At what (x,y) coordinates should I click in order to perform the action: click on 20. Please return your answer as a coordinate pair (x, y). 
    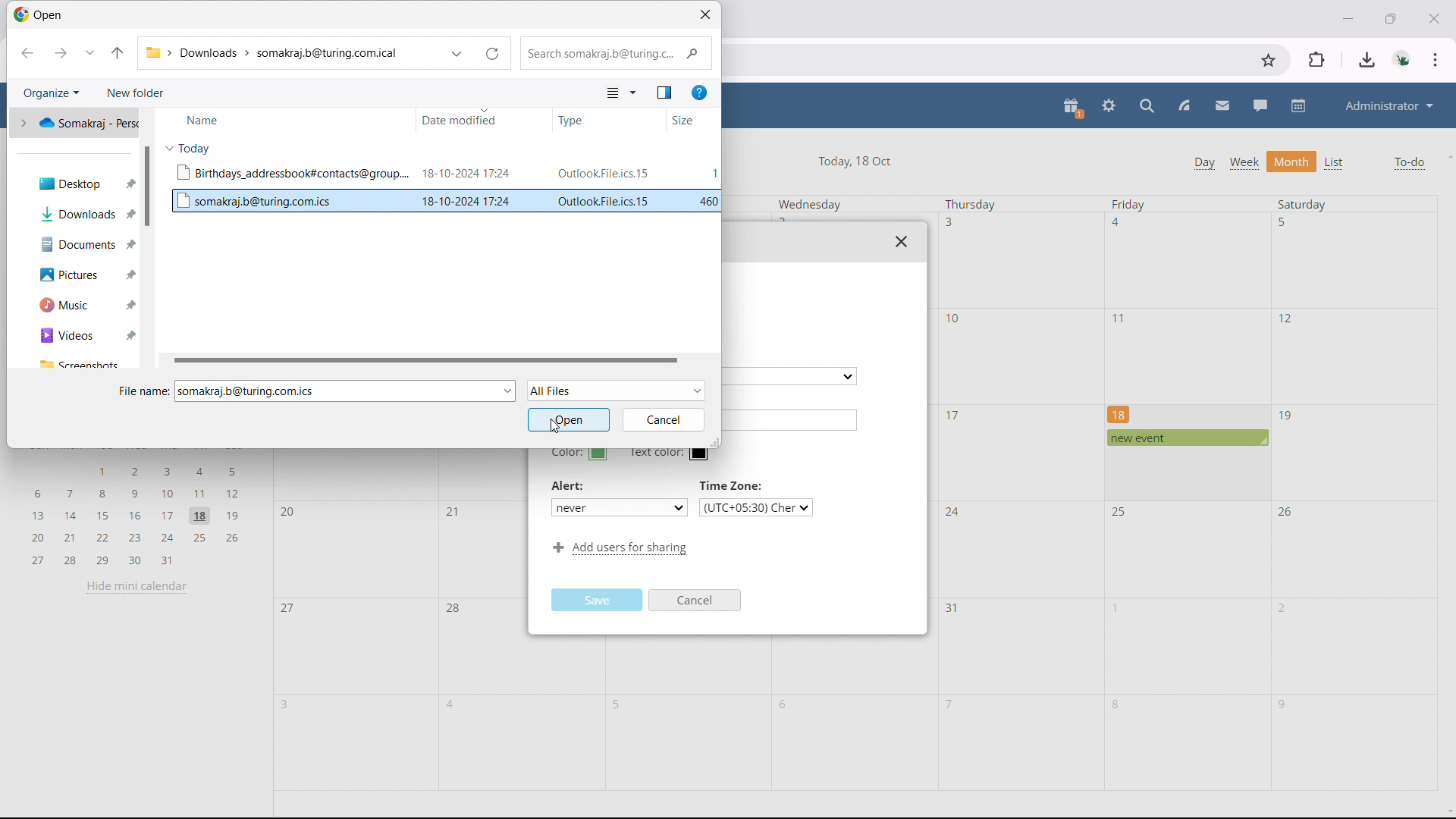
    Looking at the image, I should click on (290, 513).